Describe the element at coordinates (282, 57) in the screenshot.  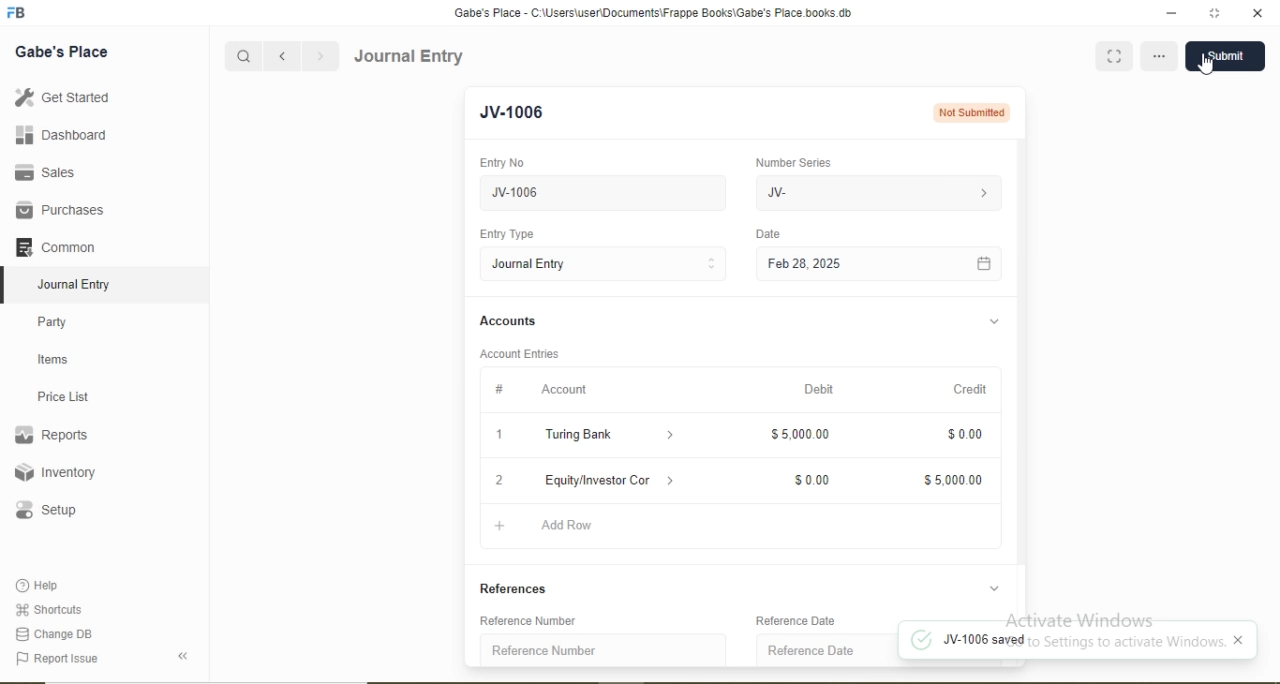
I see `Backward` at that location.